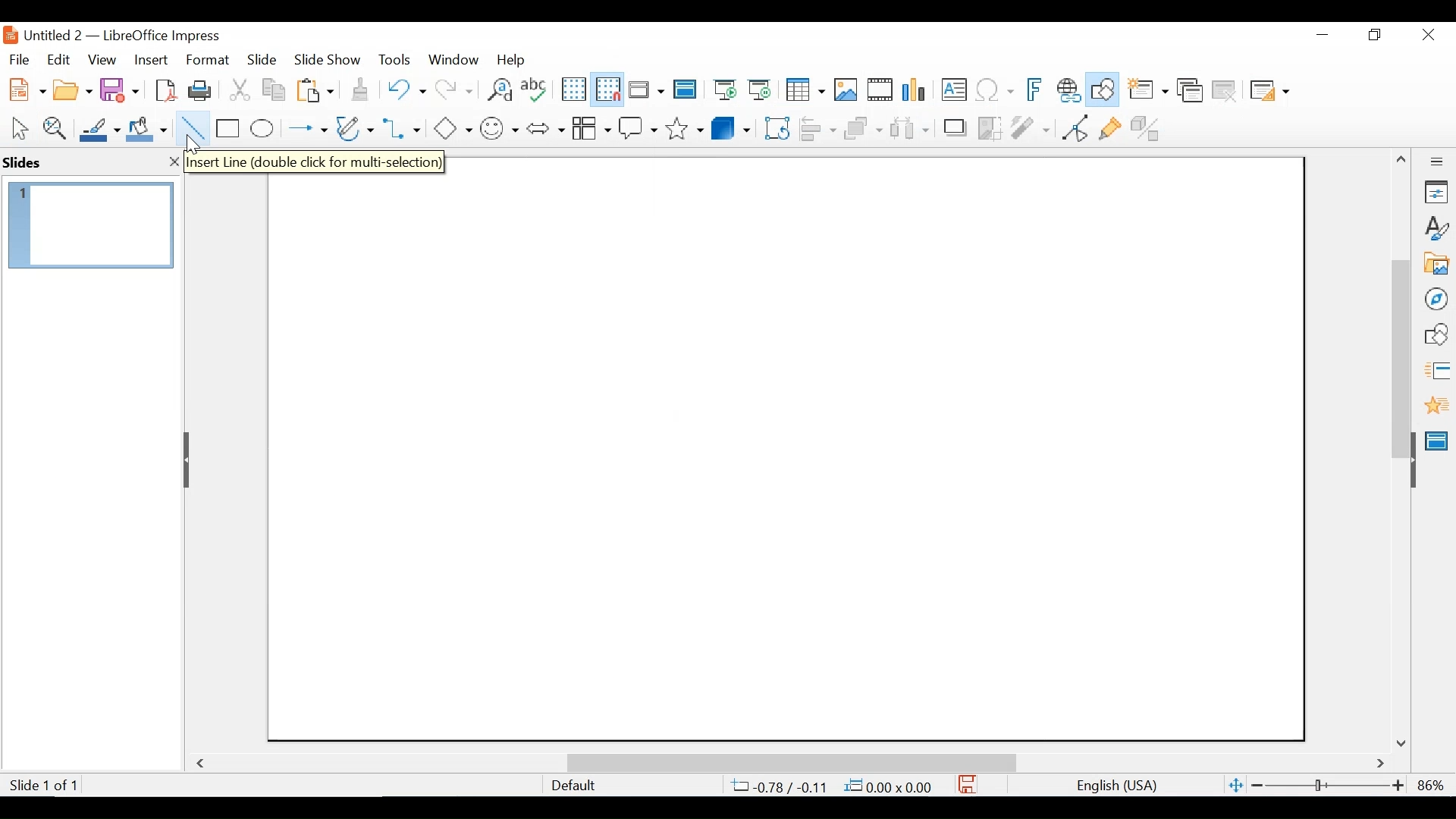  I want to click on Spelling, so click(536, 89).